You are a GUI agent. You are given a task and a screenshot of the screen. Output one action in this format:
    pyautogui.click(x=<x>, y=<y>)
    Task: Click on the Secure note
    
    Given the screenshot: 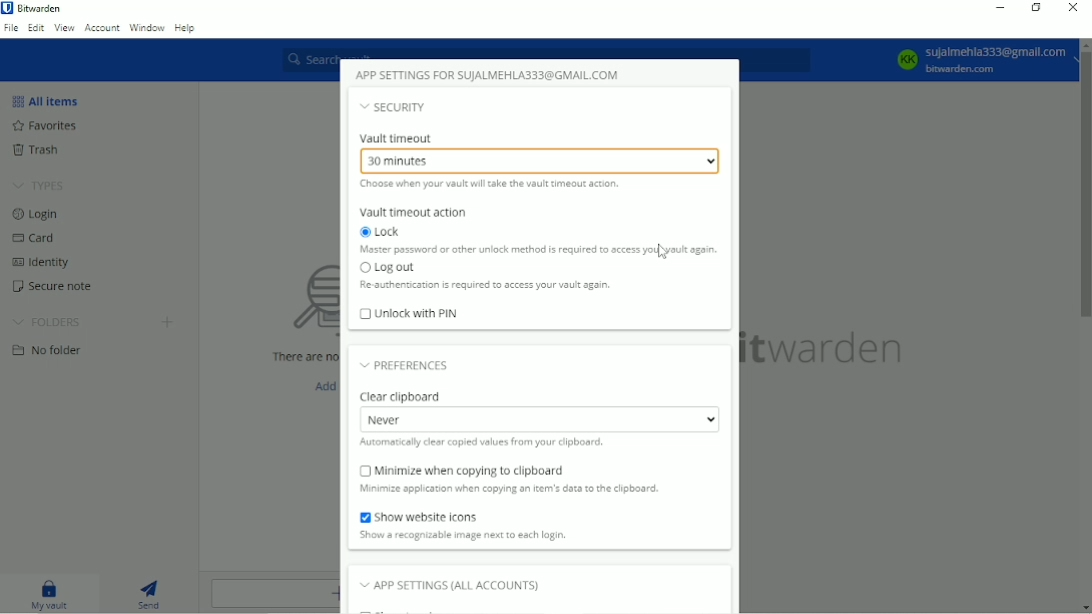 What is the action you would take?
    pyautogui.click(x=51, y=284)
    